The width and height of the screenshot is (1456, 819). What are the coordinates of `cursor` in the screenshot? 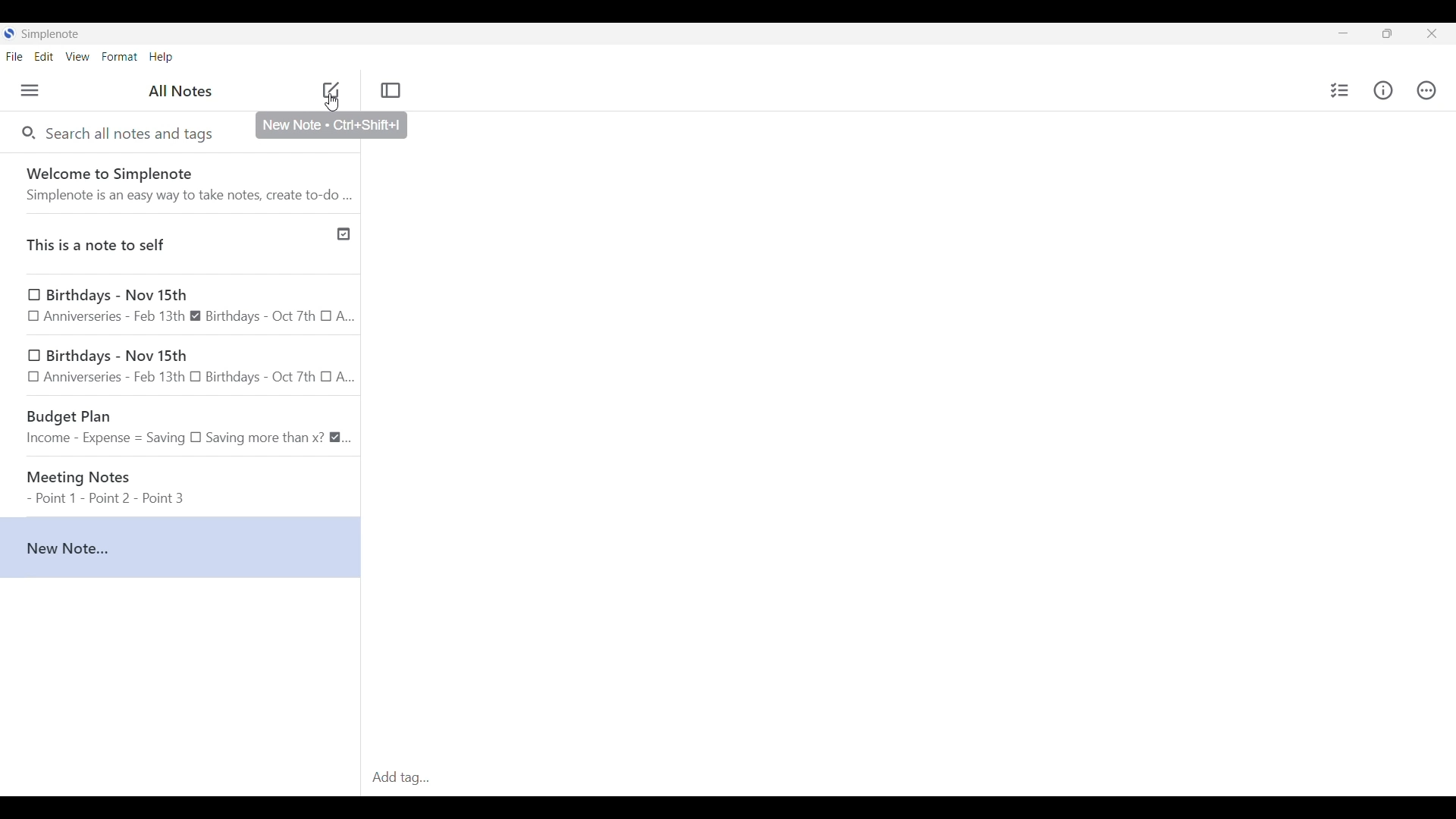 It's located at (333, 106).